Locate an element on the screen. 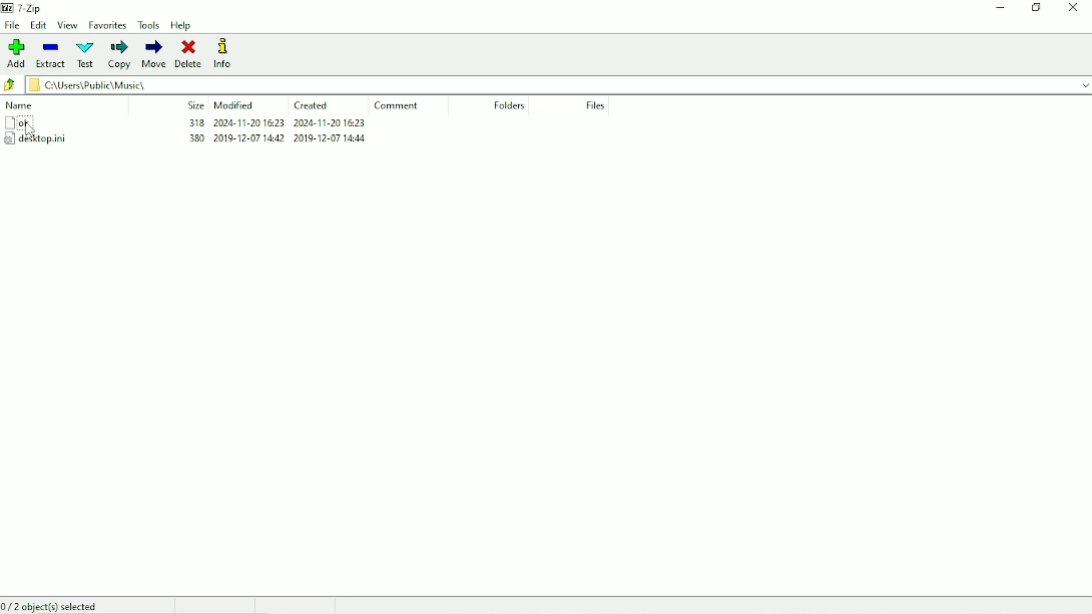  Files is located at coordinates (596, 106).